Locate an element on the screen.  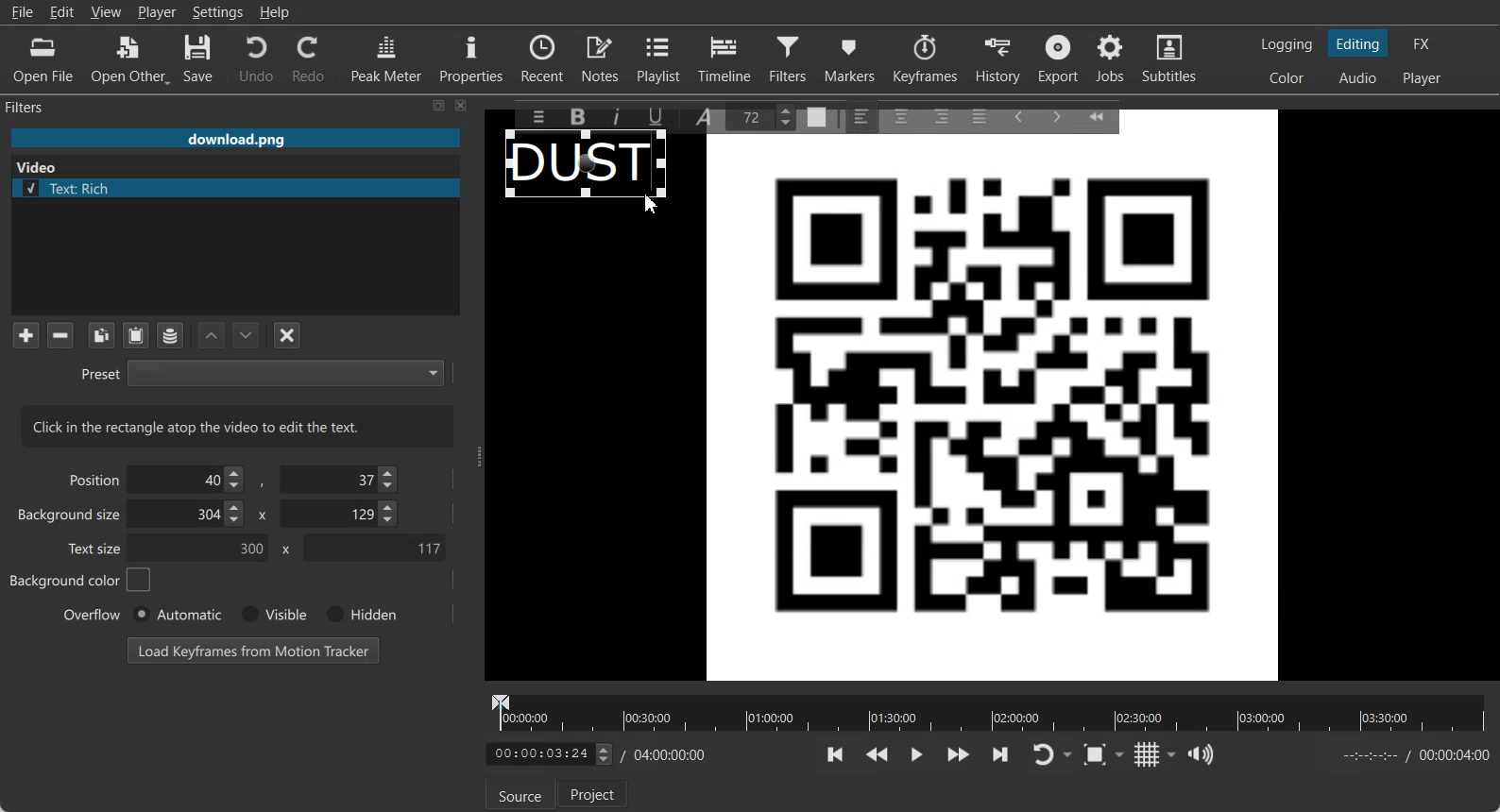
Font is located at coordinates (707, 115).